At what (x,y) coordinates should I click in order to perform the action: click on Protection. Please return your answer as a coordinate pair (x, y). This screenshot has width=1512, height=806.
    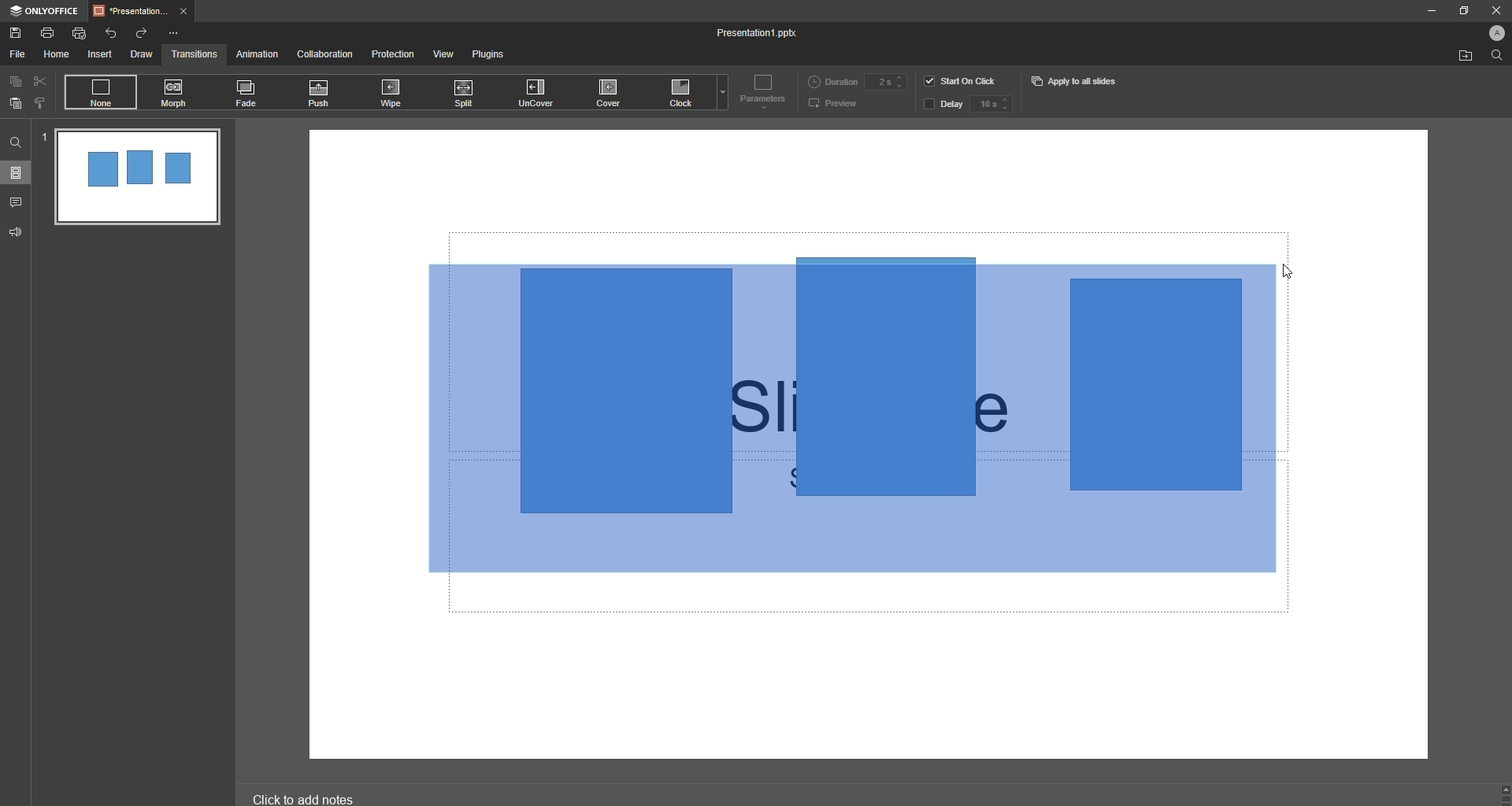
    Looking at the image, I should click on (394, 54).